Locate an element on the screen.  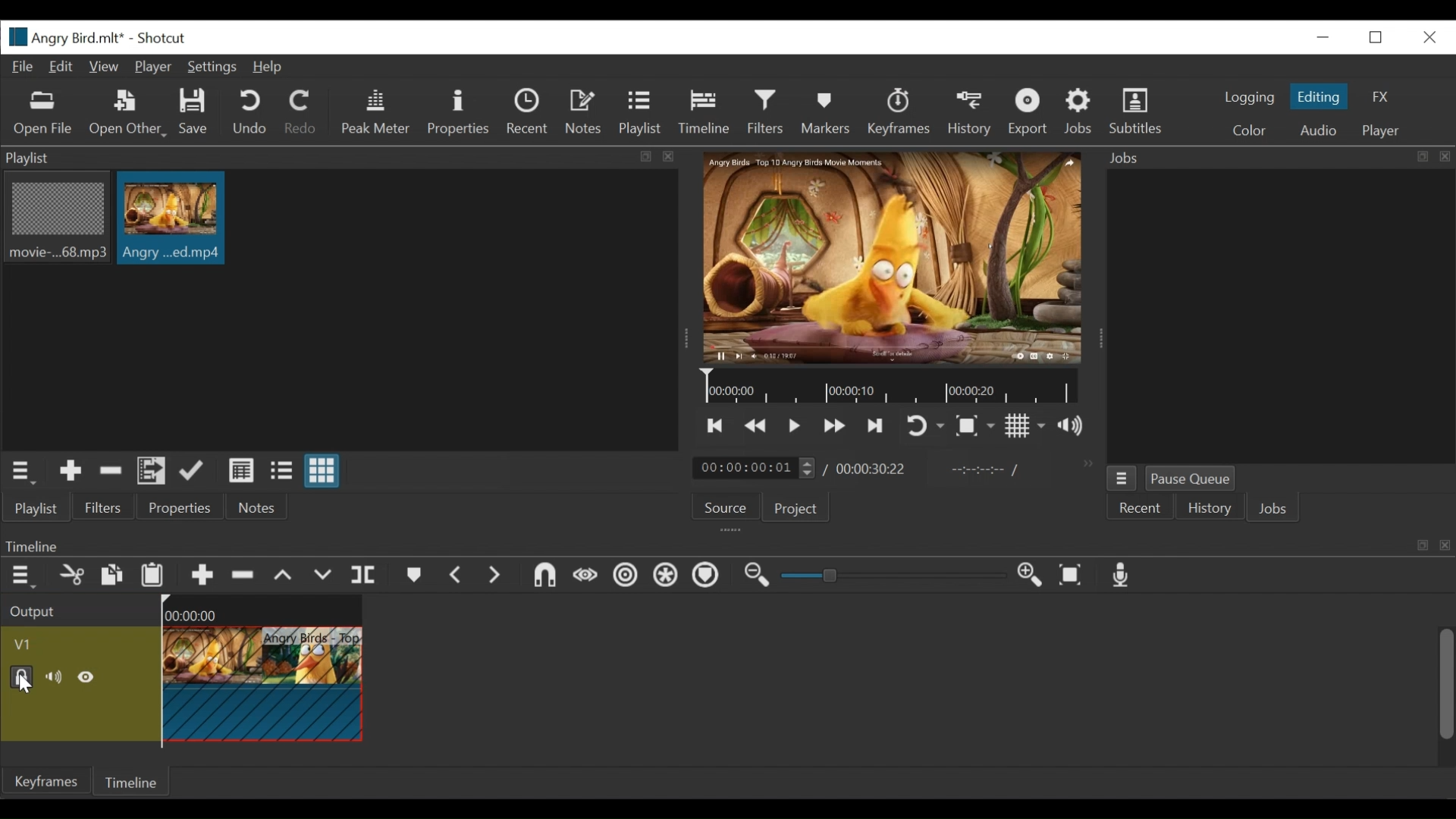
Filters is located at coordinates (105, 507).